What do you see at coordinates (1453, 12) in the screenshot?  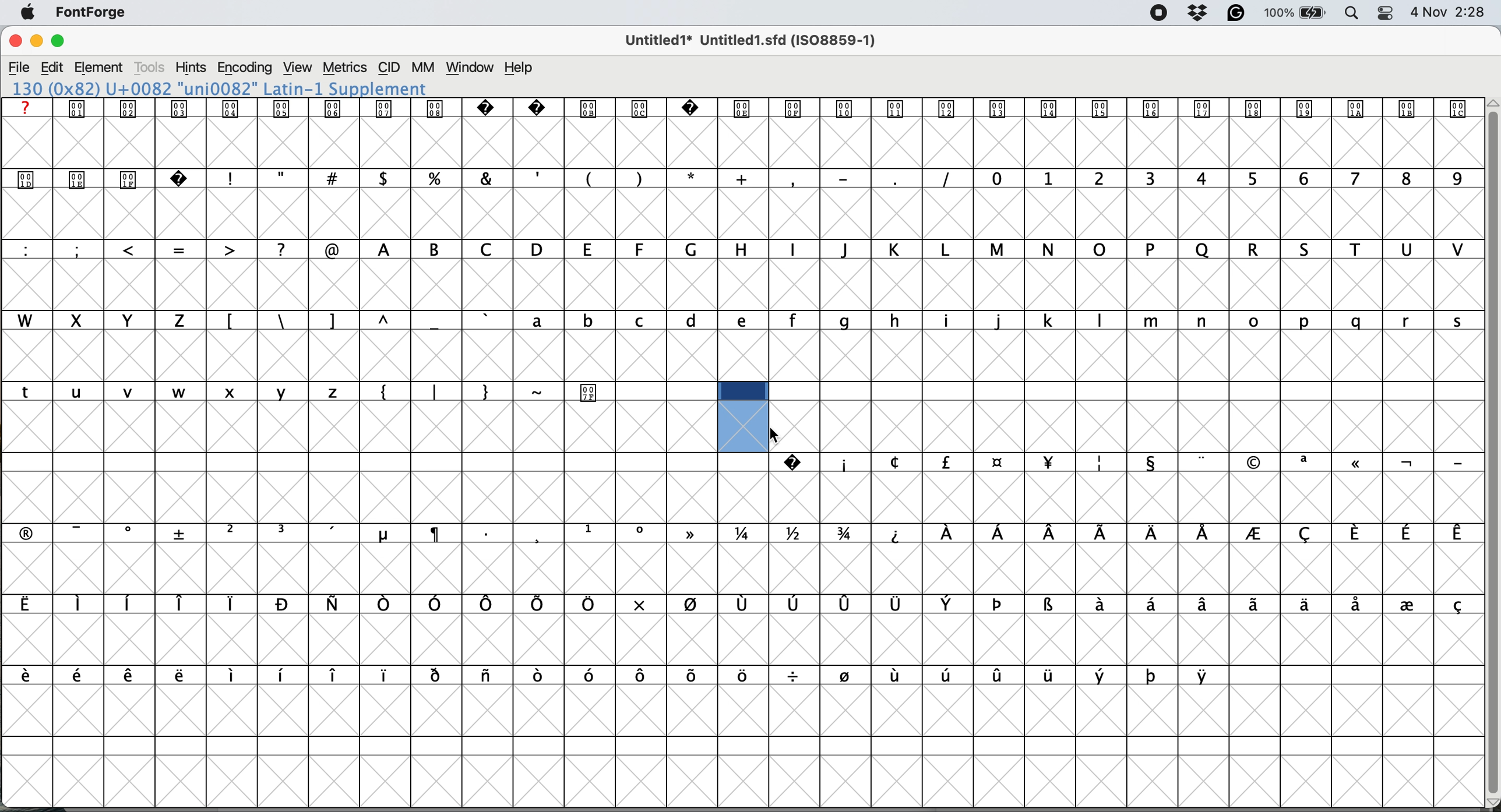 I see `Date and Time` at bounding box center [1453, 12].